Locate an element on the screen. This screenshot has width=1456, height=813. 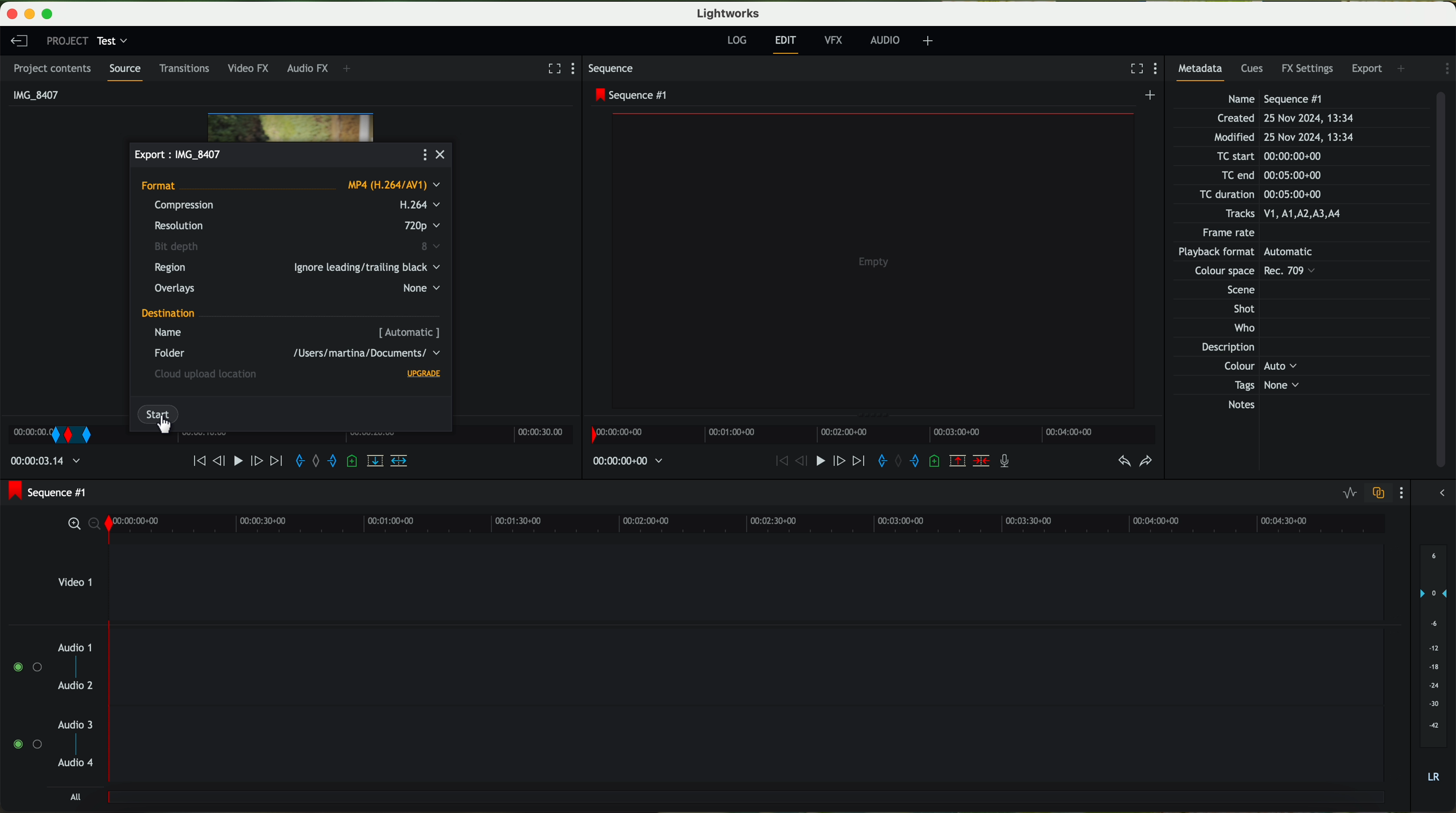
+ is located at coordinates (351, 70).